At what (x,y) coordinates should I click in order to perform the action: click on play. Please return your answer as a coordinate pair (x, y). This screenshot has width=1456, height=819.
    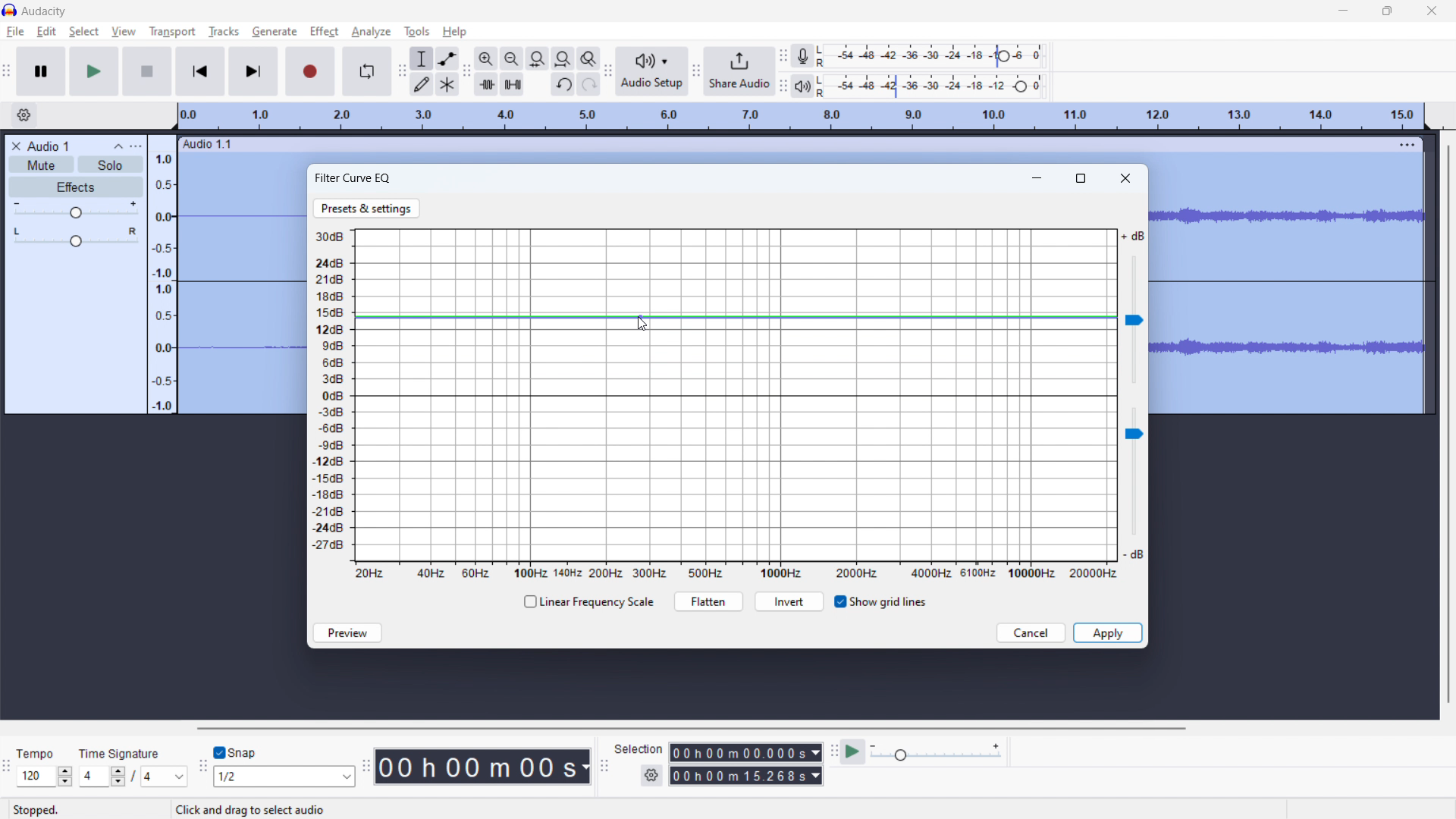
    Looking at the image, I should click on (95, 71).